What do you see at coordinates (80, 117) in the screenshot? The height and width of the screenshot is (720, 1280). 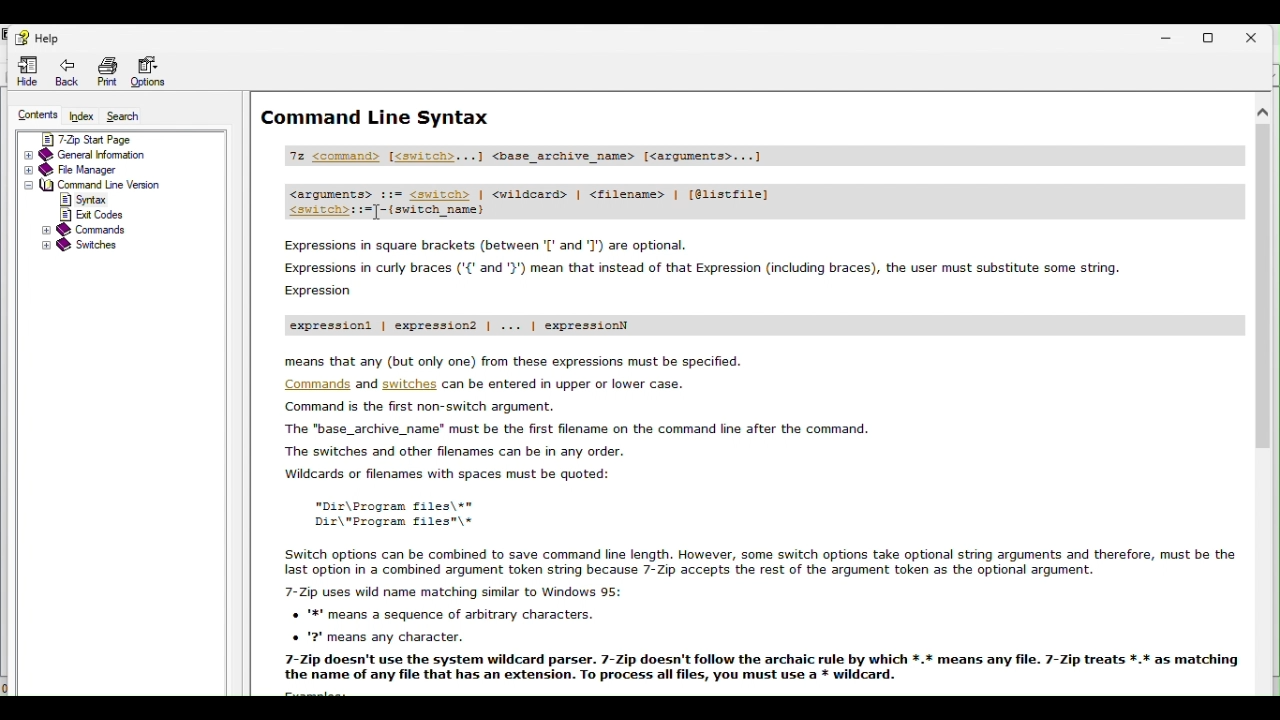 I see `Index` at bounding box center [80, 117].